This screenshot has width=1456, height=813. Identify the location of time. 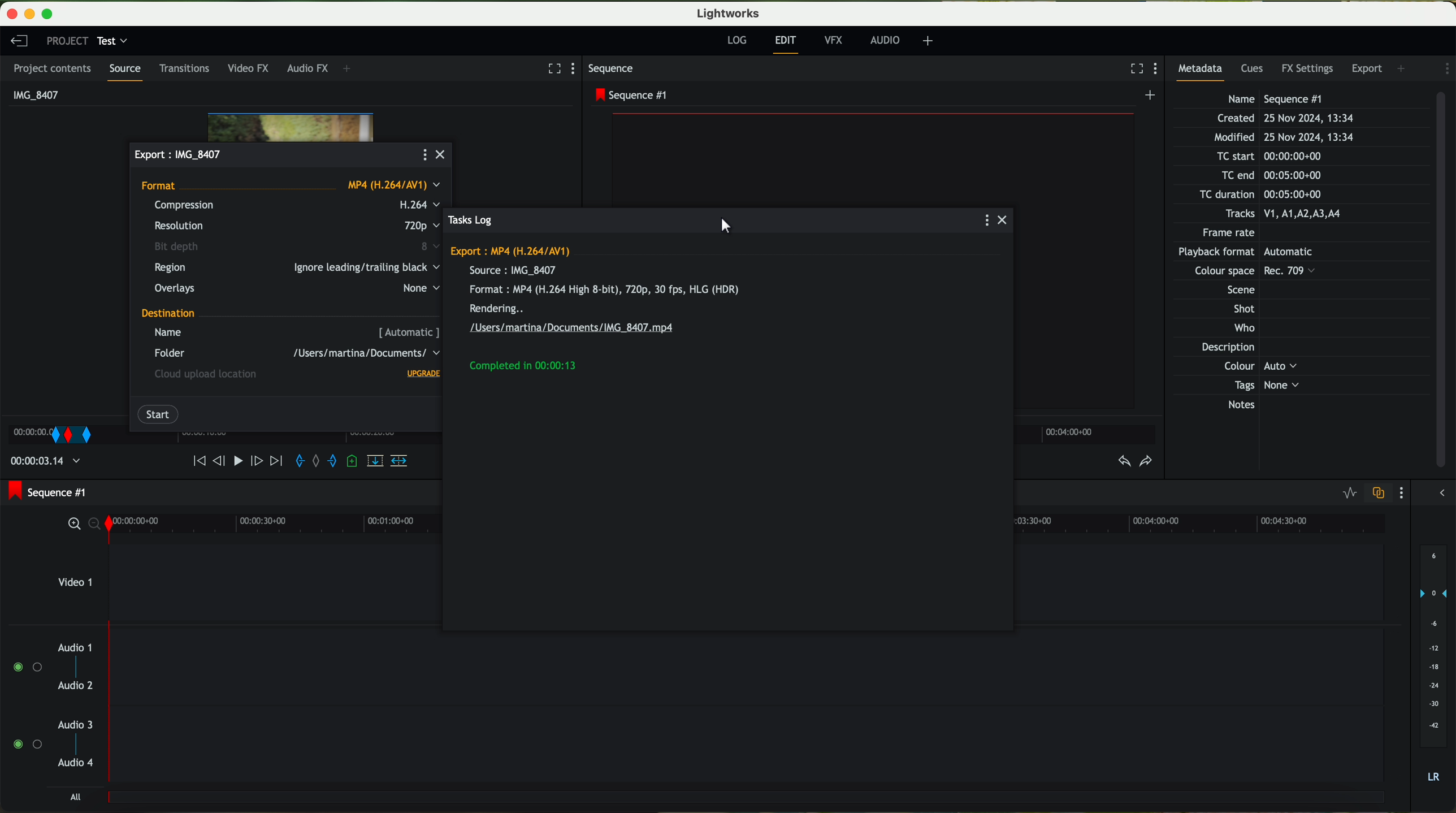
(630, 461).